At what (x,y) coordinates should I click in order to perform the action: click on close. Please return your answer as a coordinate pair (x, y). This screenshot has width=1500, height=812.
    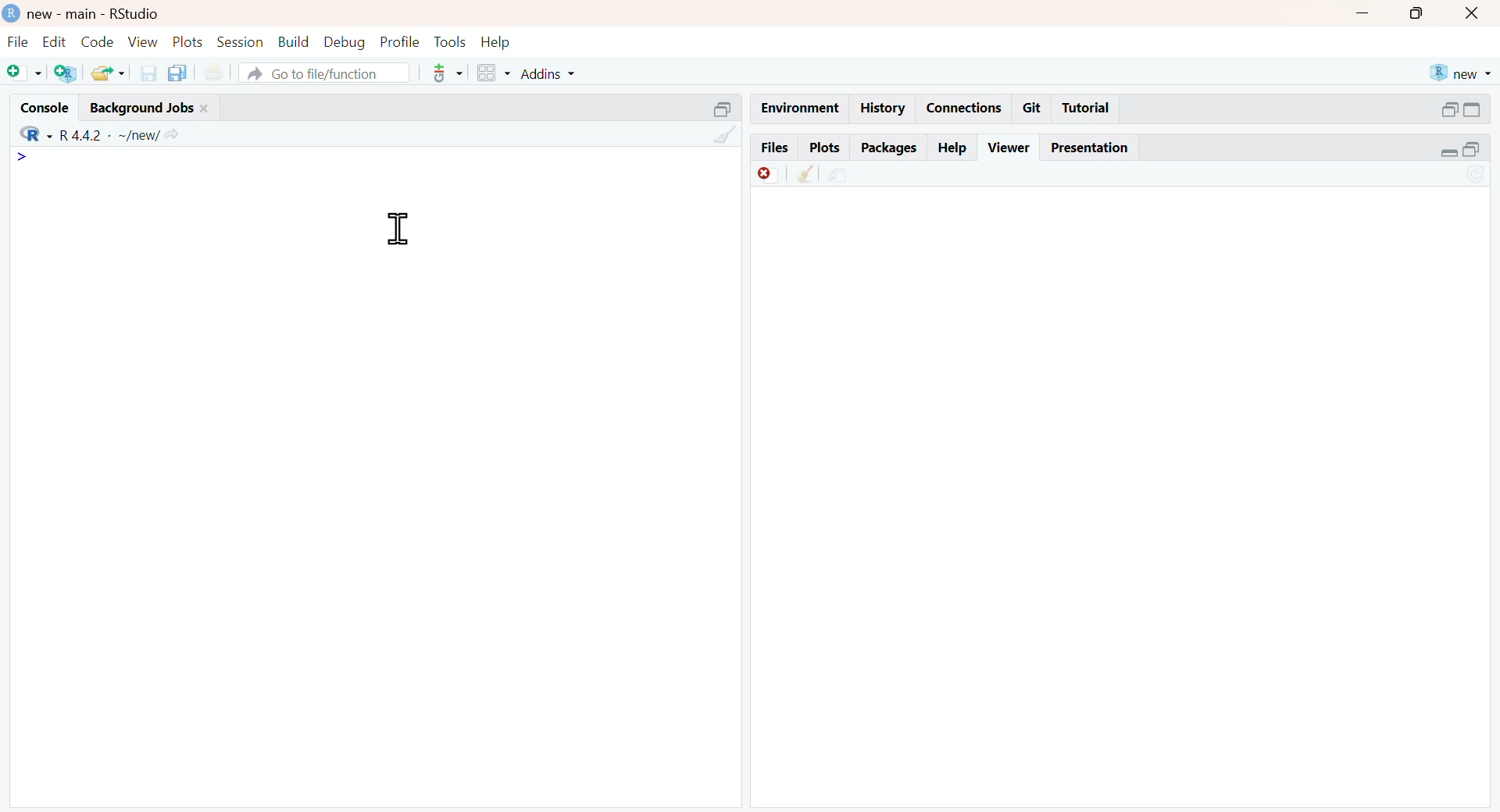
    Looking at the image, I should click on (1476, 15).